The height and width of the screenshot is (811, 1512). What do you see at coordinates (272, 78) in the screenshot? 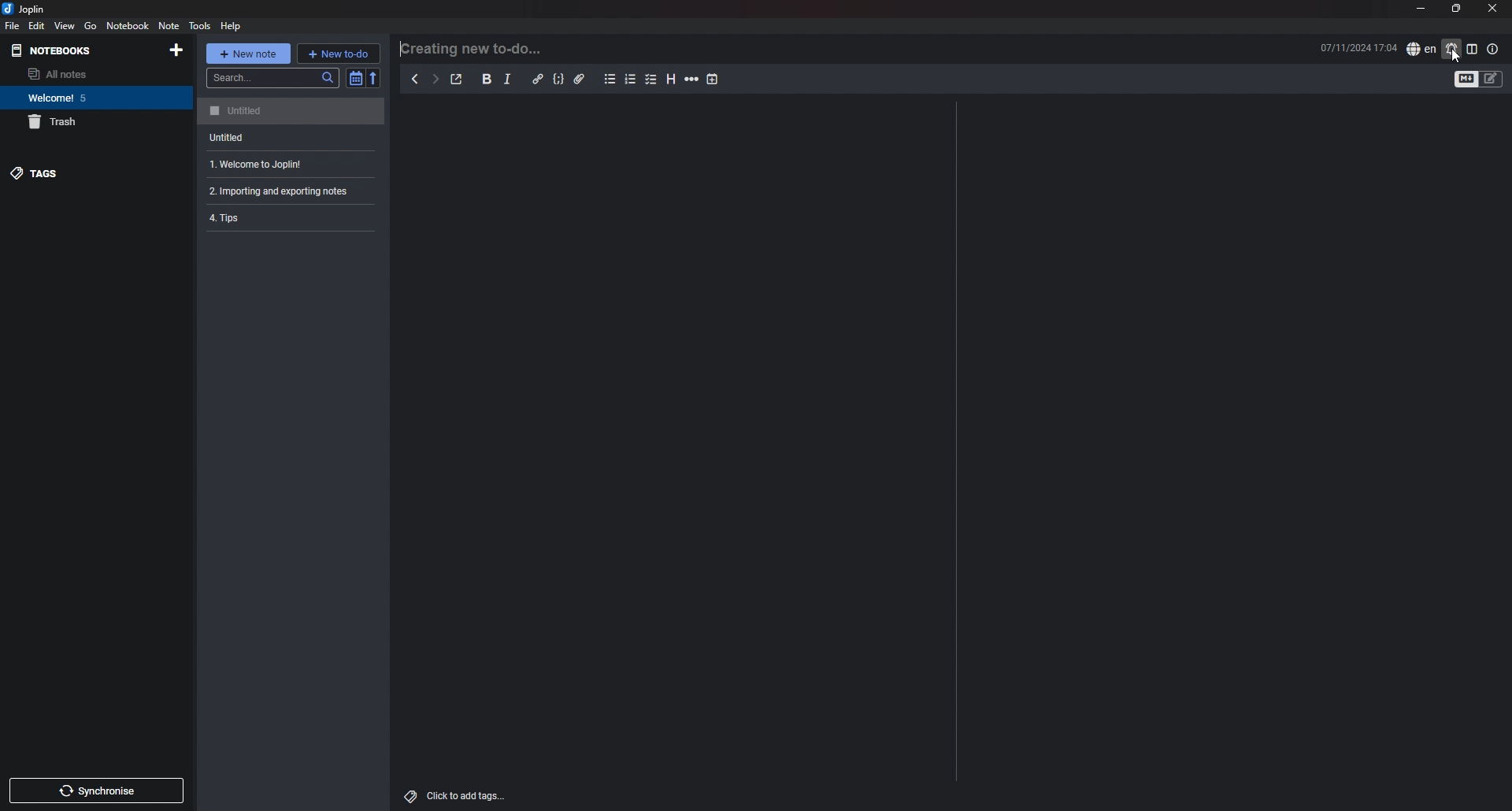
I see `search bar` at bounding box center [272, 78].